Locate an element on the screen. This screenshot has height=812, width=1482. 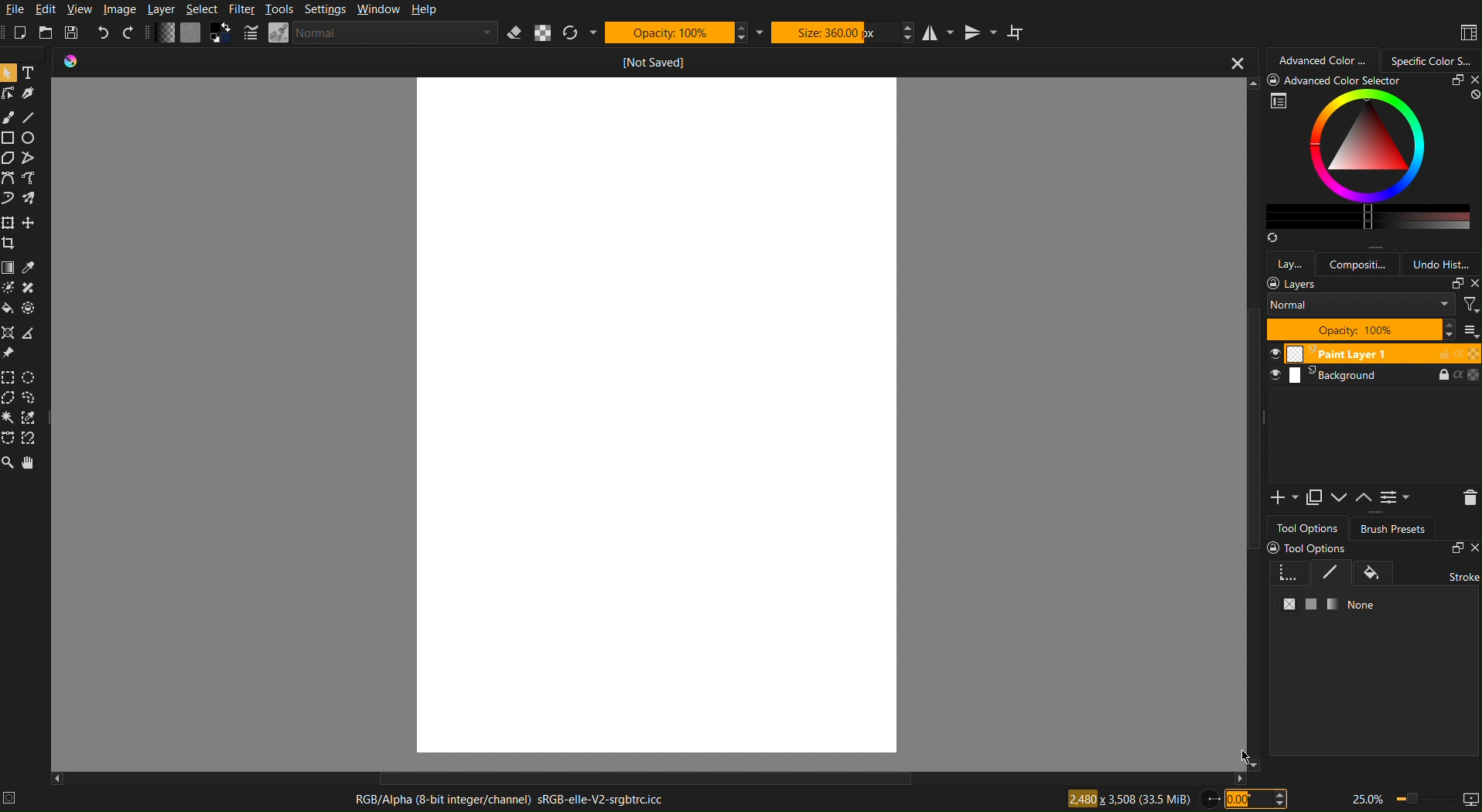
Magnetic Selection Tool is located at coordinates (29, 439).